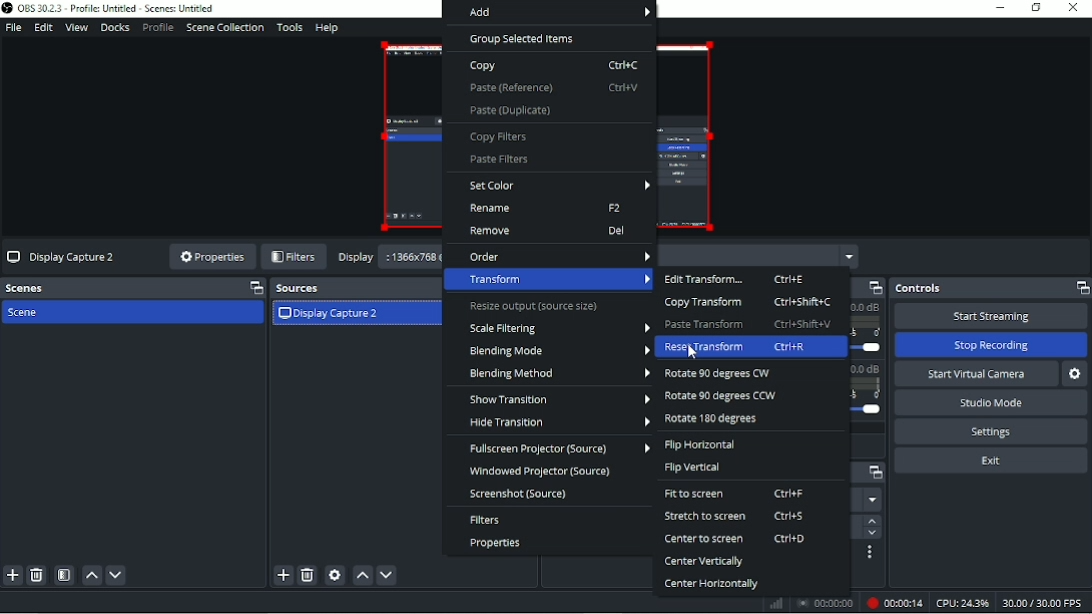 Image resolution: width=1092 pixels, height=614 pixels. I want to click on Transition properties, so click(870, 553).